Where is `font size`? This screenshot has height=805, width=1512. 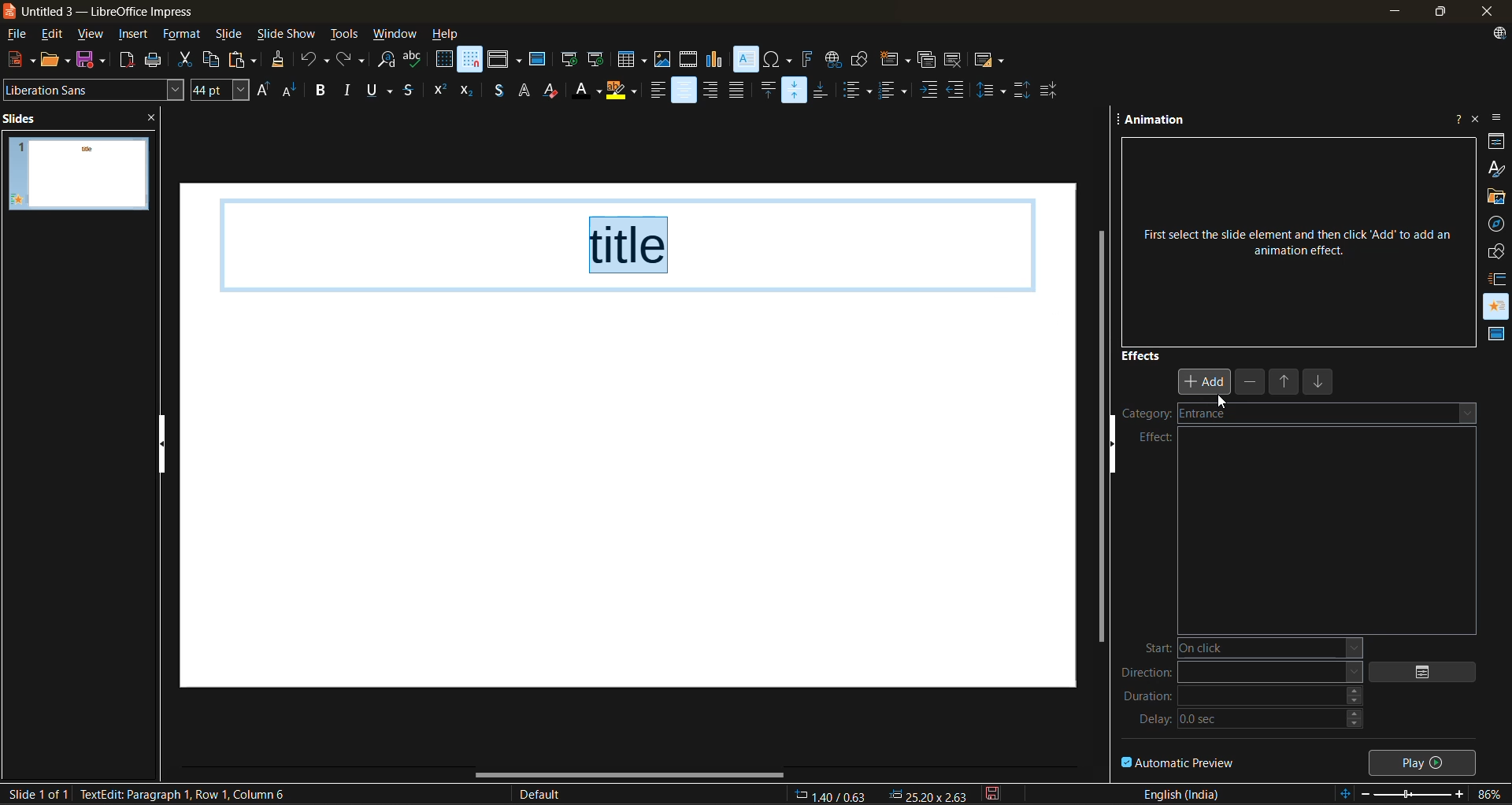
font size is located at coordinates (221, 90).